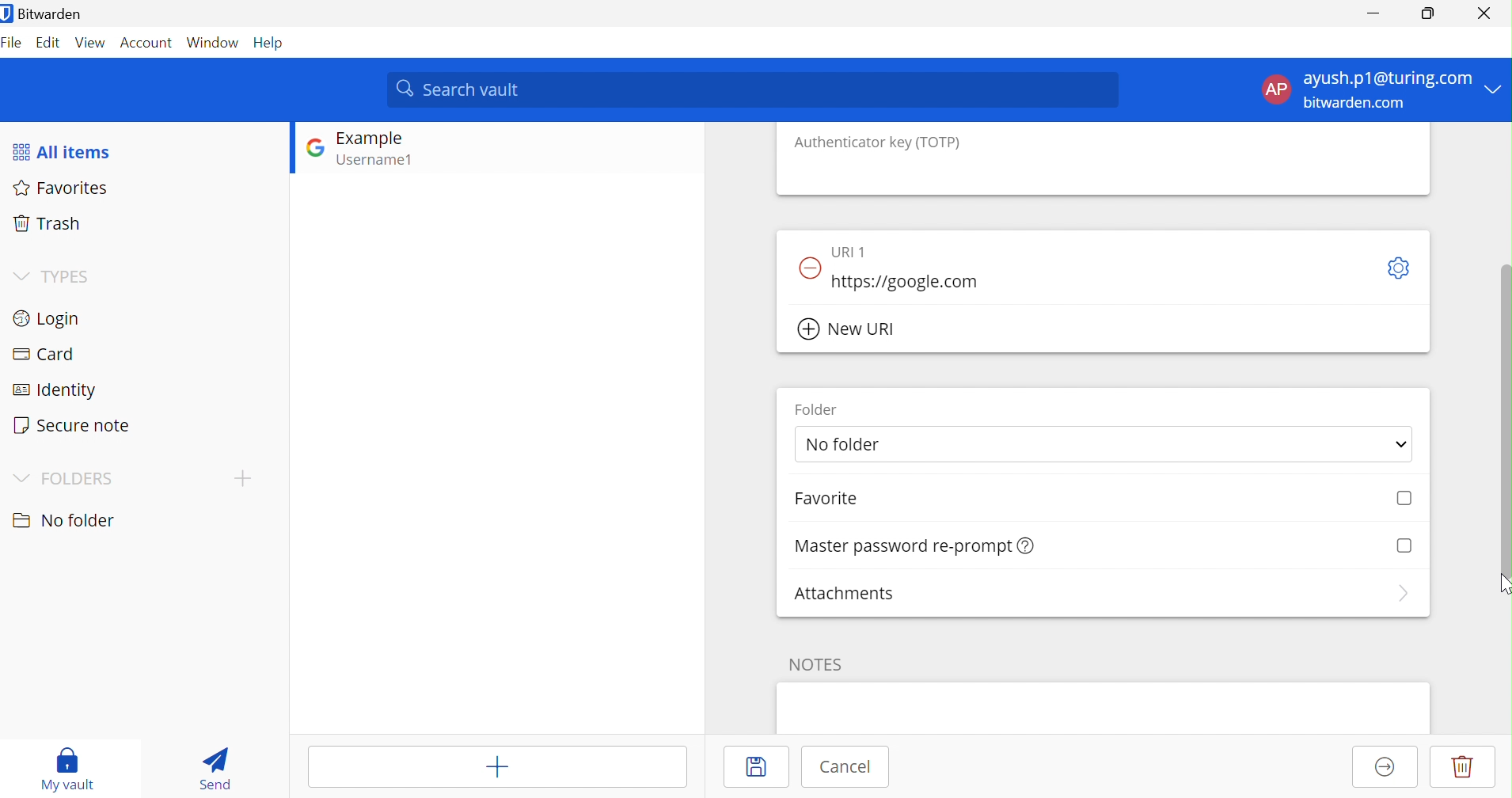 Image resolution: width=1512 pixels, height=798 pixels. Describe the element at coordinates (1429, 13) in the screenshot. I see `Restore Down` at that location.